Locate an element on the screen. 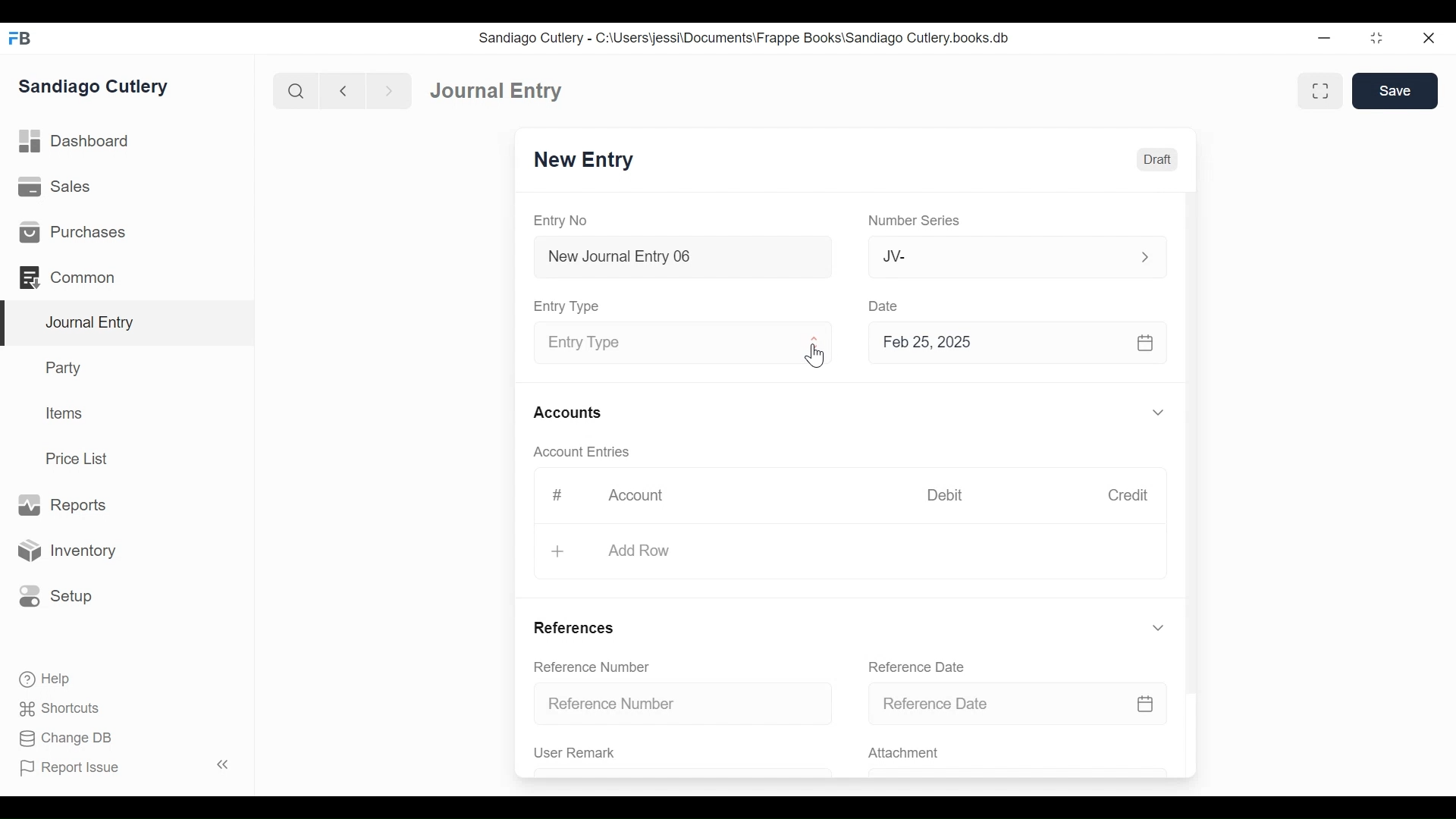  Attachment is located at coordinates (902, 754).